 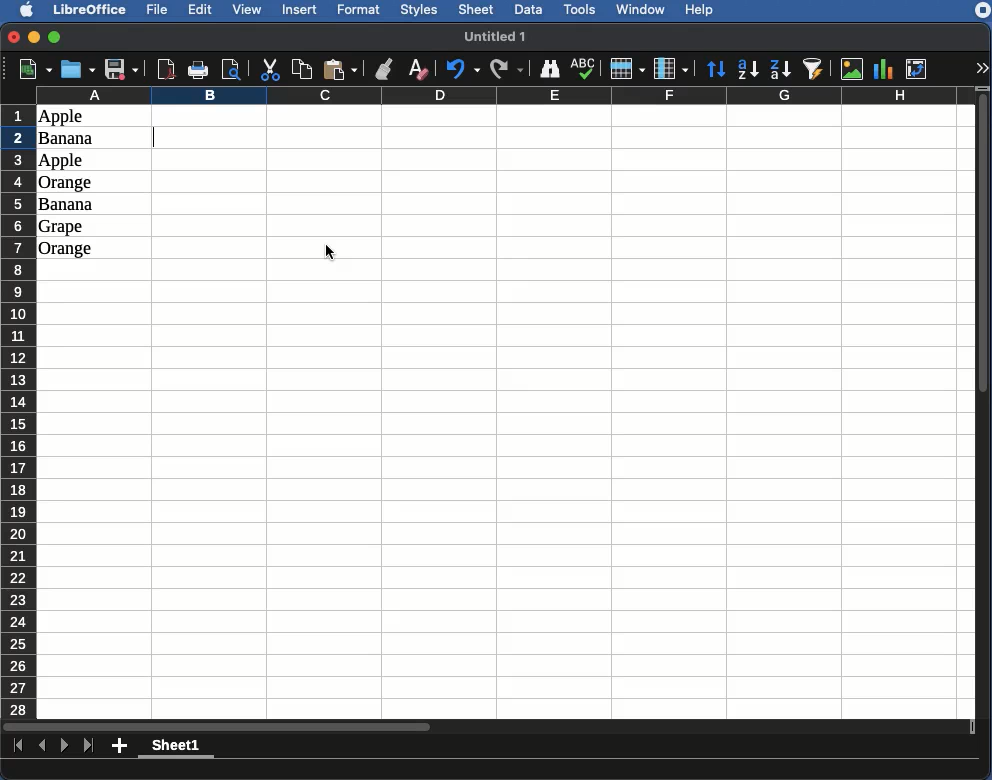 I want to click on Previous sheet, so click(x=43, y=747).